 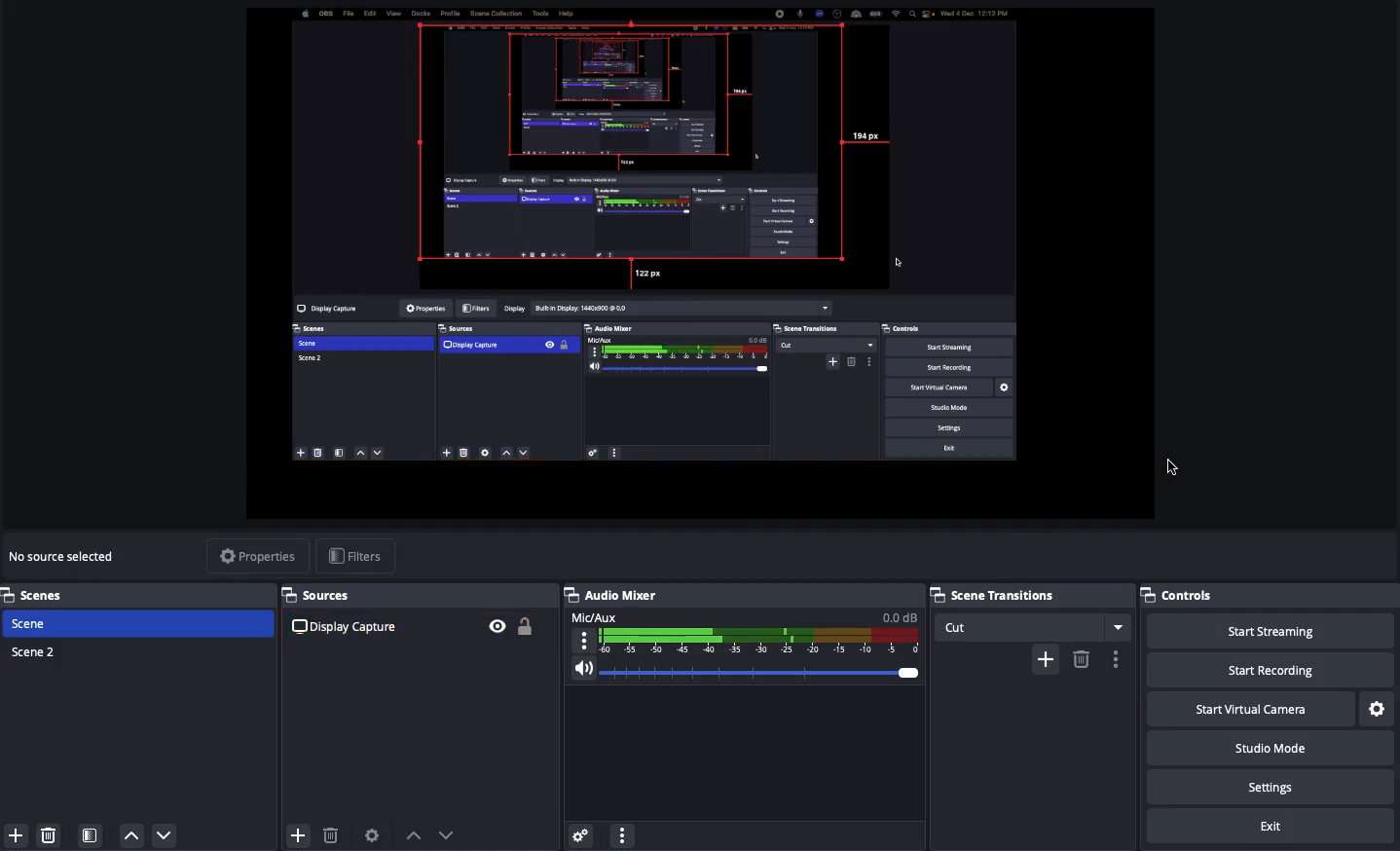 I want to click on Start recording, so click(x=1295, y=671).